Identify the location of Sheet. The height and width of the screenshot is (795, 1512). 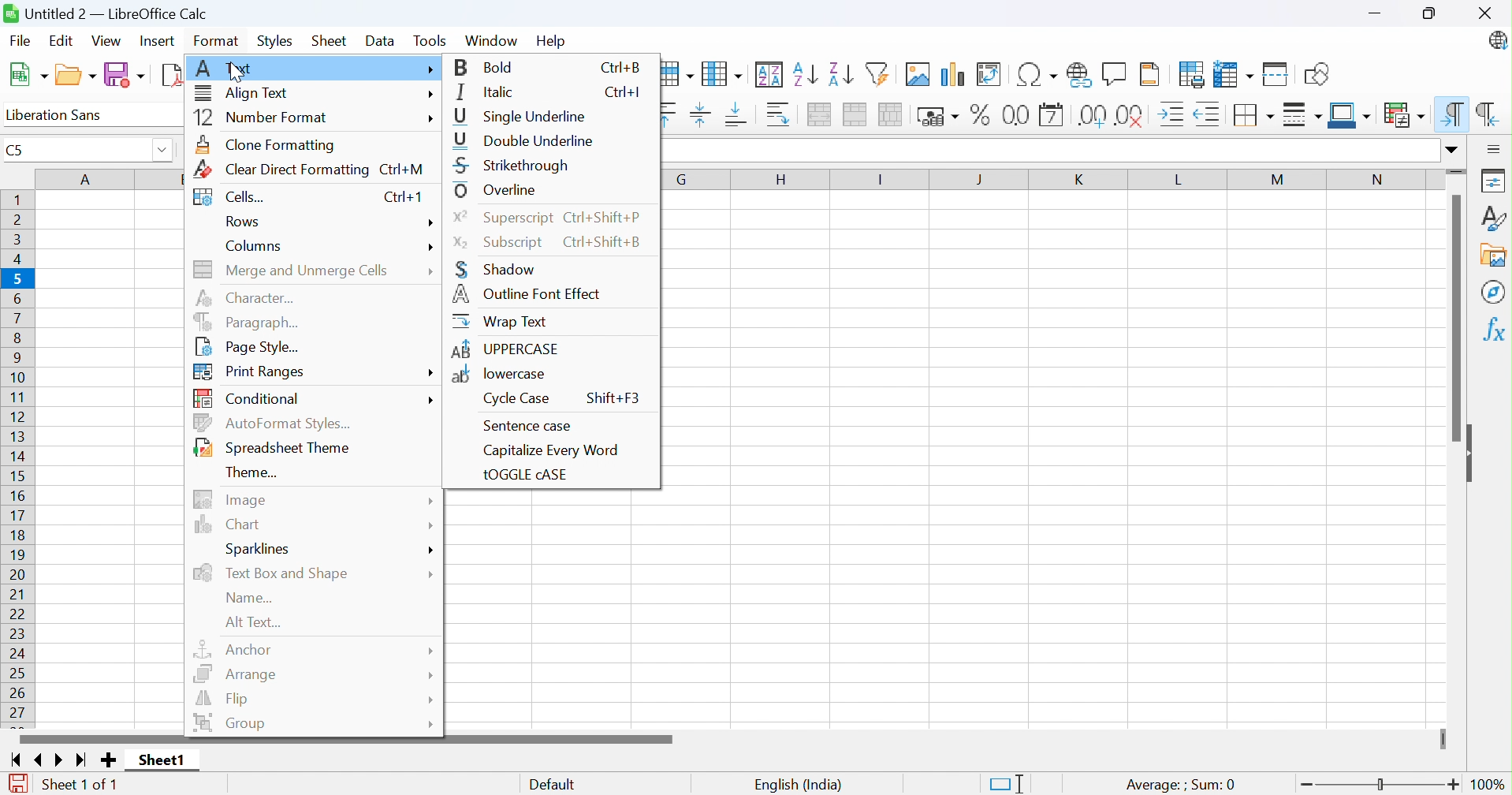
(328, 41).